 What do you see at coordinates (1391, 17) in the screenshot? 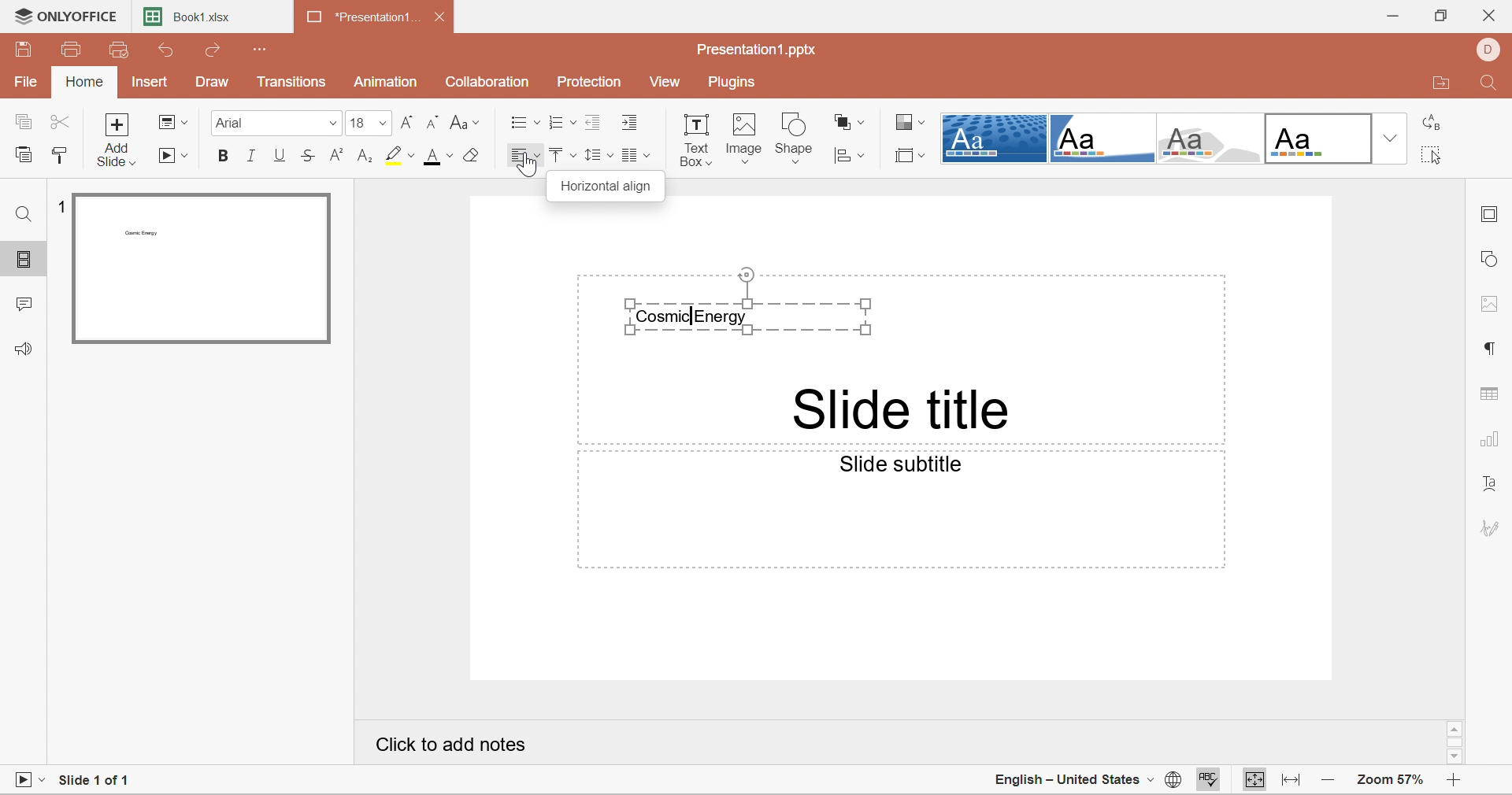
I see `Minimize` at bounding box center [1391, 17].